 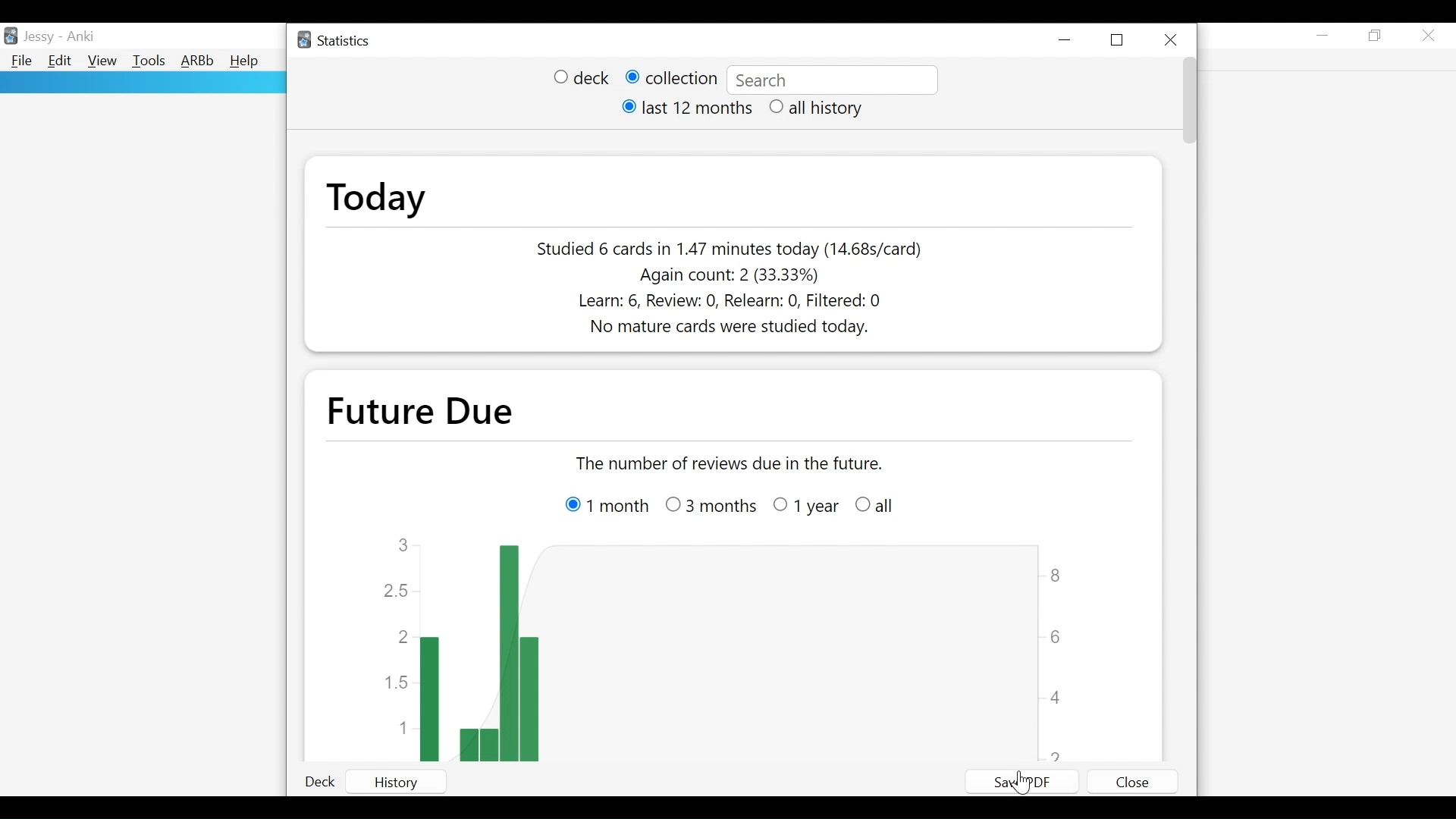 I want to click on deck:current, so click(x=831, y=80).